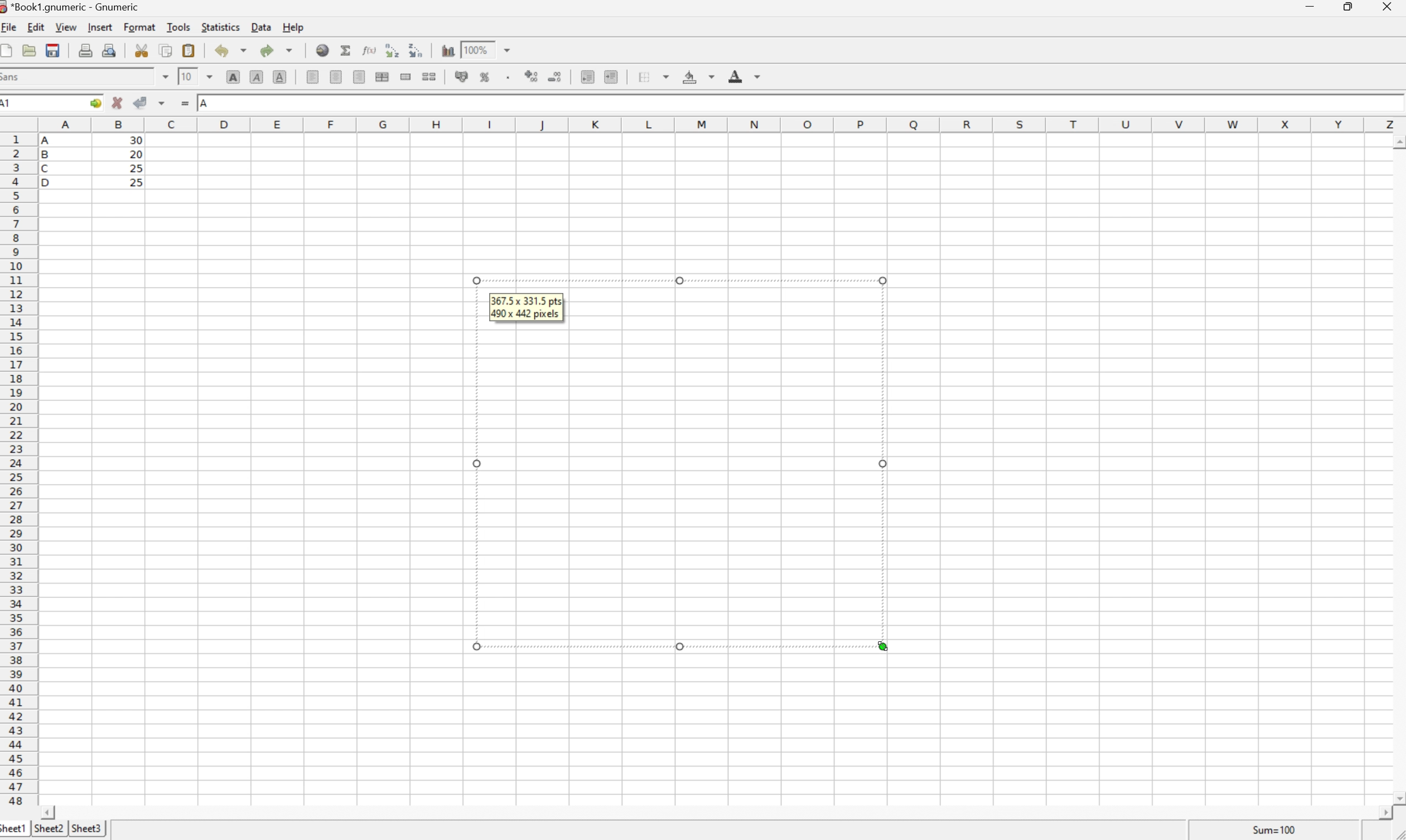 The height and width of the screenshot is (840, 1406). Describe the element at coordinates (1397, 797) in the screenshot. I see `Scroll Down` at that location.